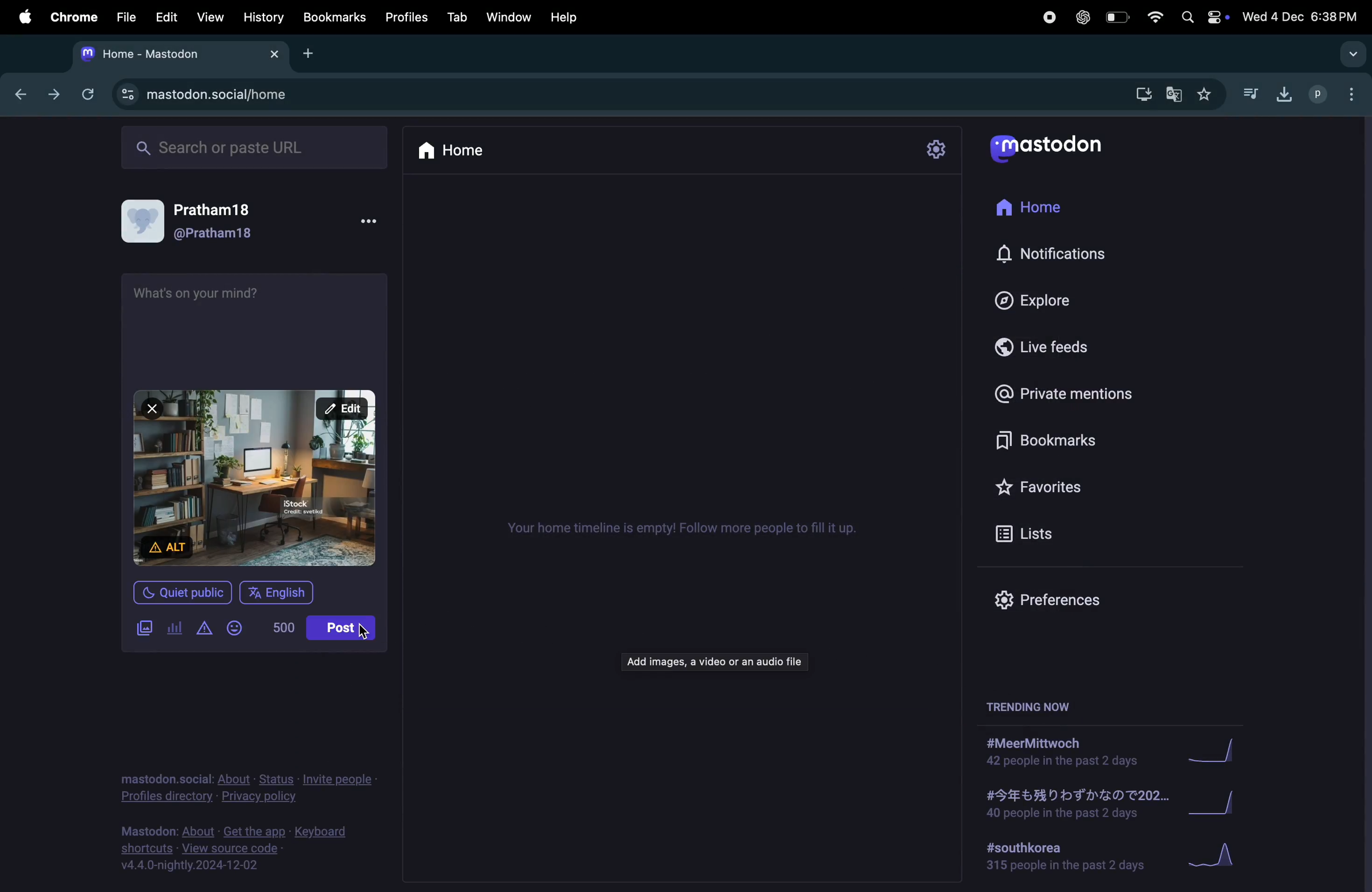  Describe the element at coordinates (311, 58) in the screenshot. I see `add tab` at that location.